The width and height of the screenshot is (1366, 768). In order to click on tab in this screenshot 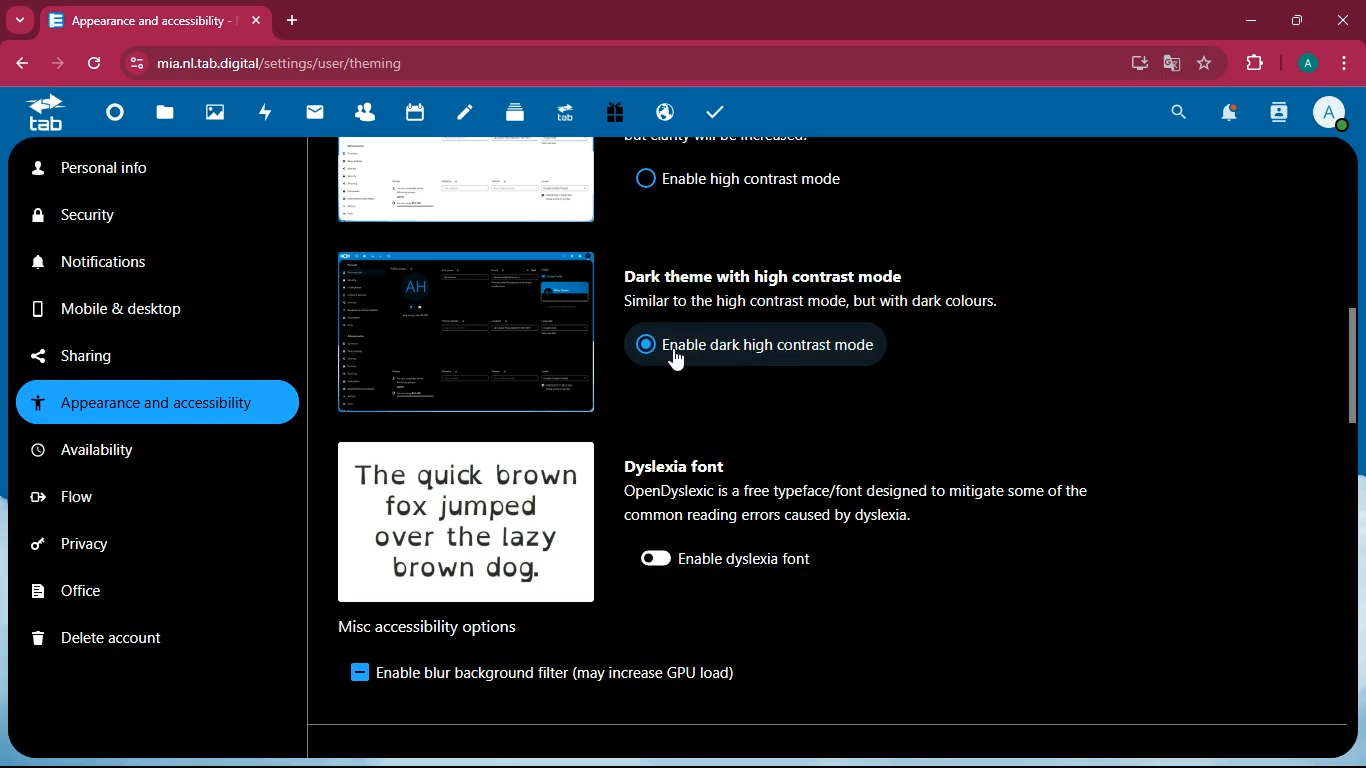, I will do `click(49, 112)`.